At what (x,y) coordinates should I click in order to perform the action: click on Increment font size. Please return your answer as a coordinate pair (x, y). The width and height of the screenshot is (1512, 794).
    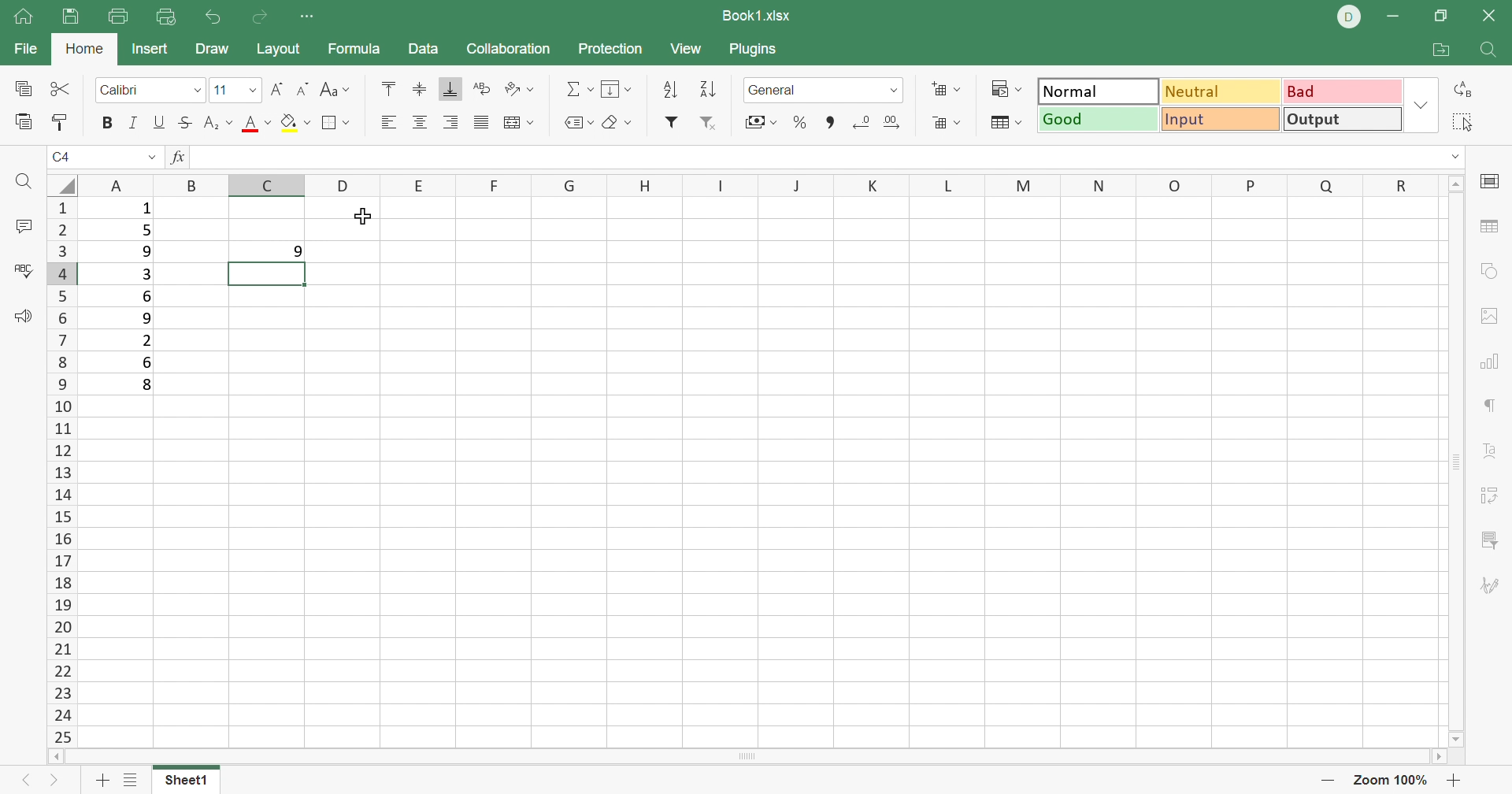
    Looking at the image, I should click on (276, 91).